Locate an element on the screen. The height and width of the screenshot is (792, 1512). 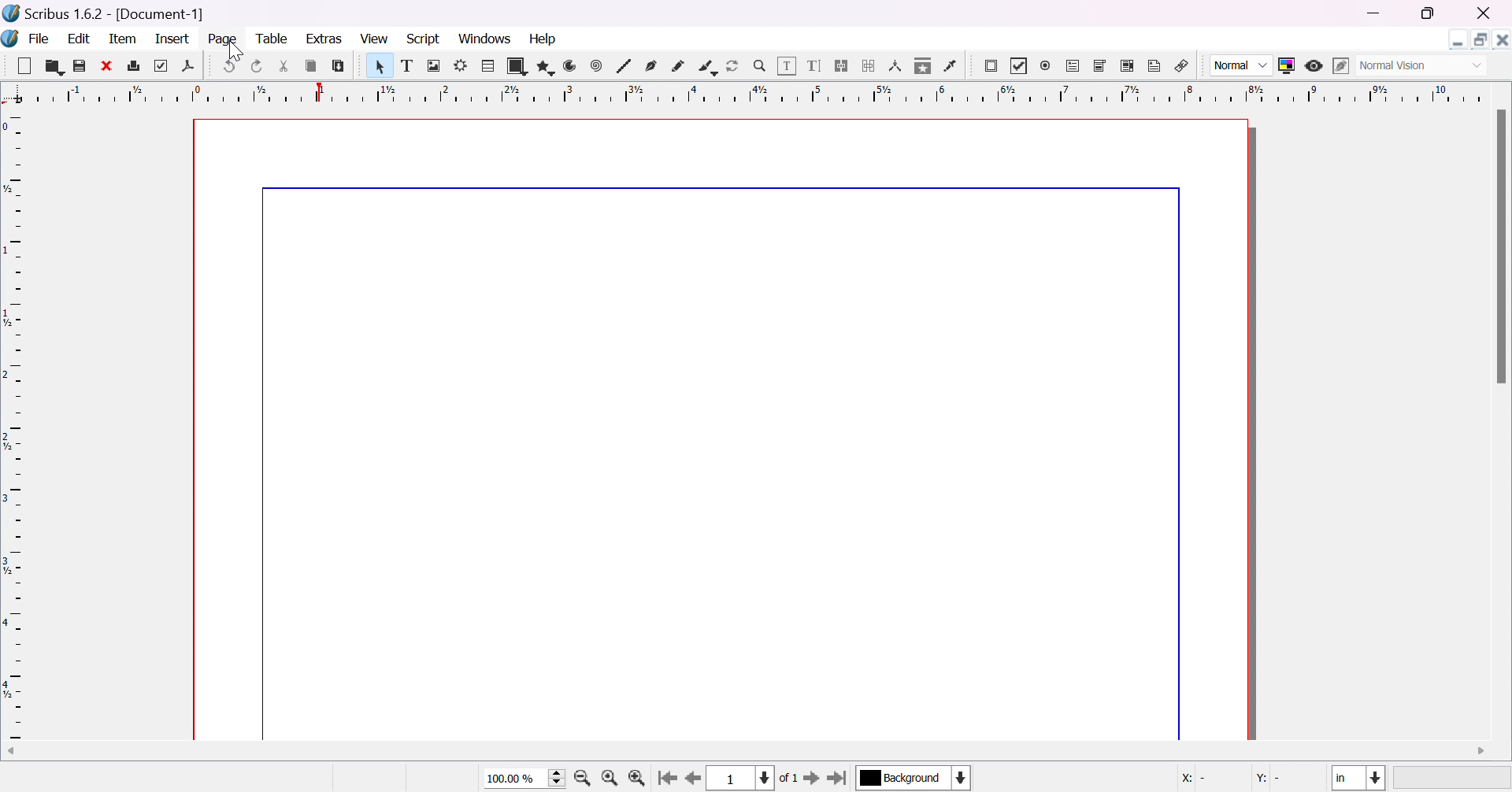
script is located at coordinates (423, 39).